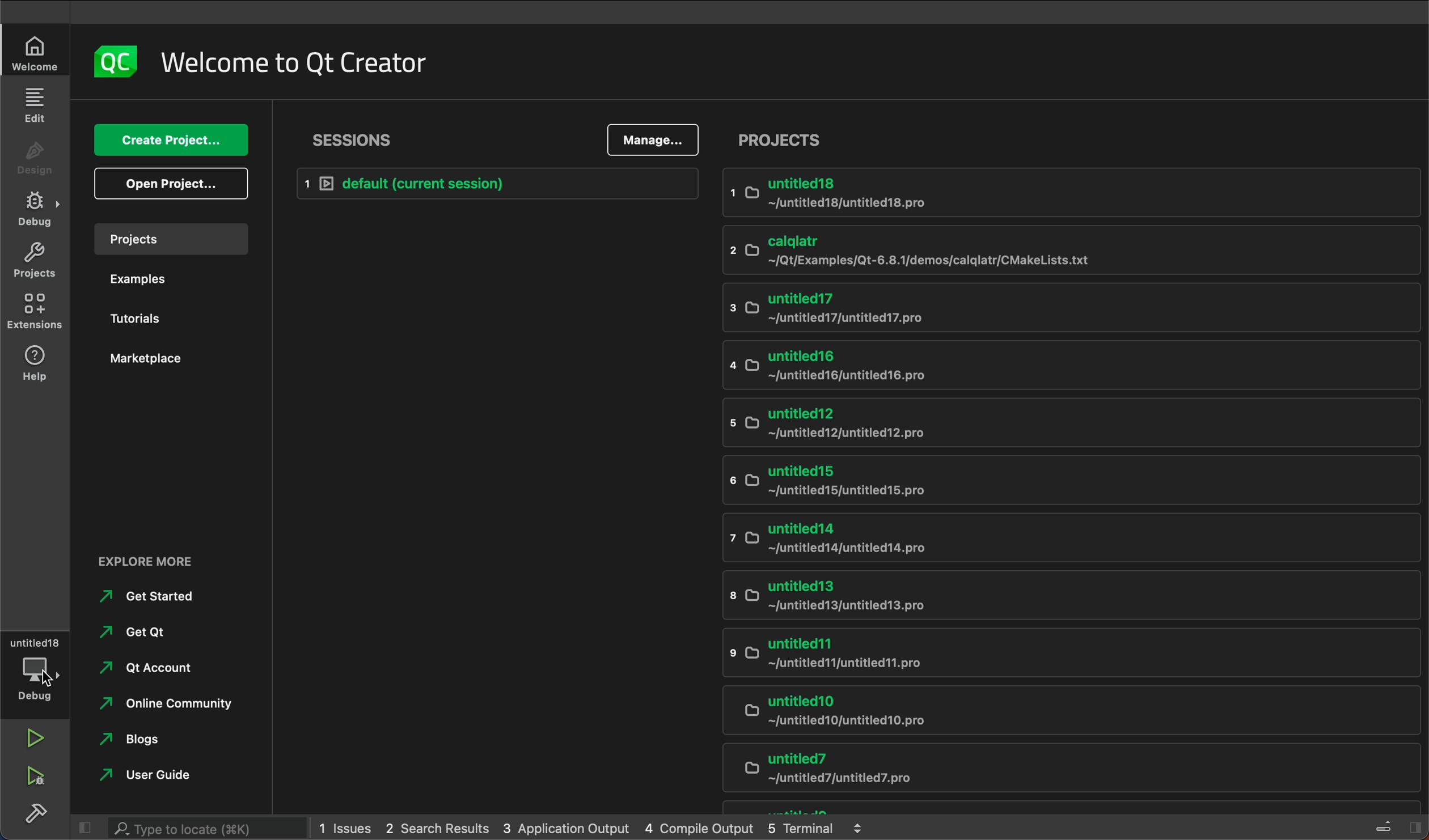 This screenshot has width=1429, height=840. Describe the element at coordinates (293, 60) in the screenshot. I see `welcome` at that location.